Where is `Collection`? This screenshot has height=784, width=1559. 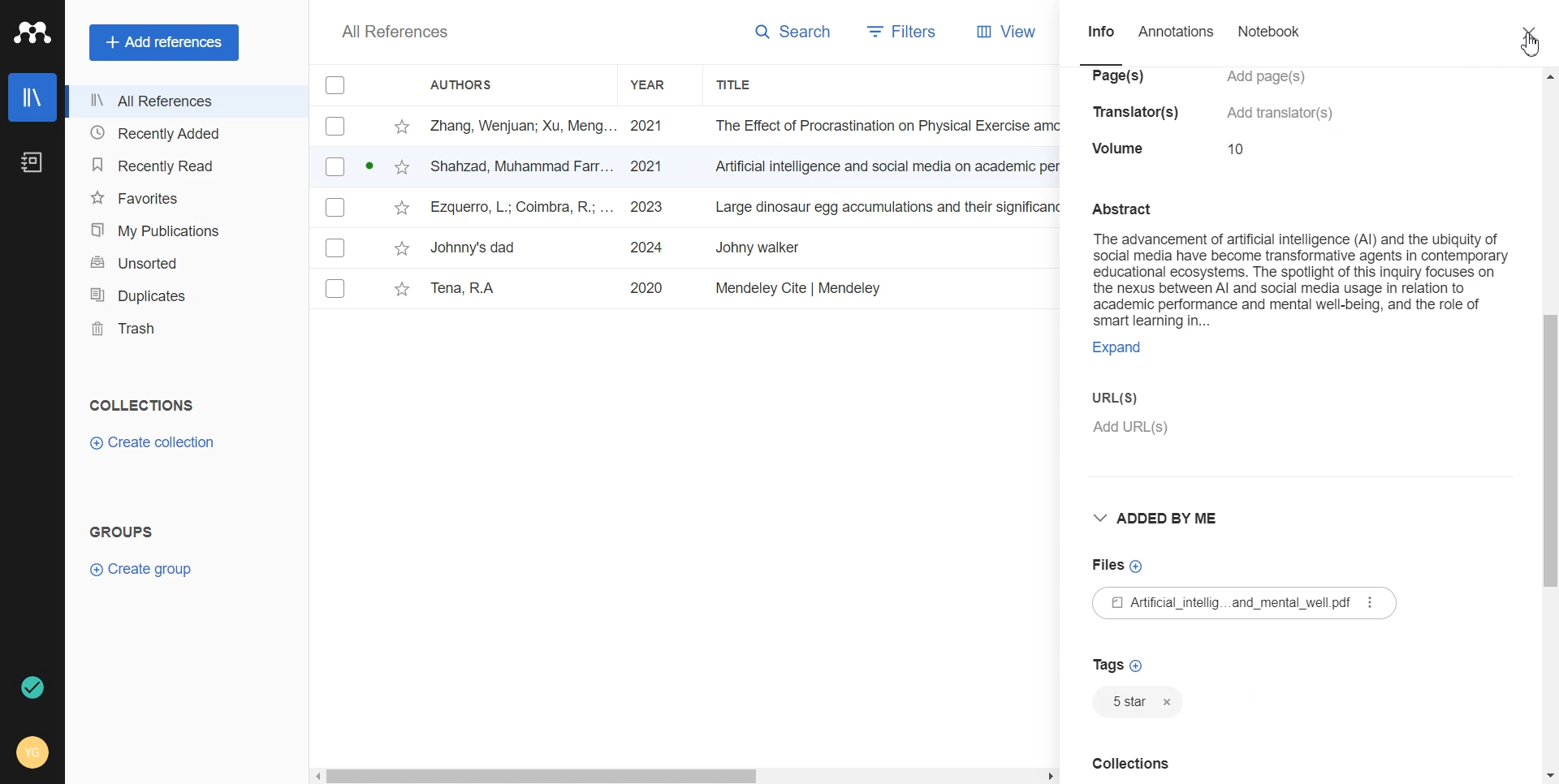 Collection is located at coordinates (1218, 771).